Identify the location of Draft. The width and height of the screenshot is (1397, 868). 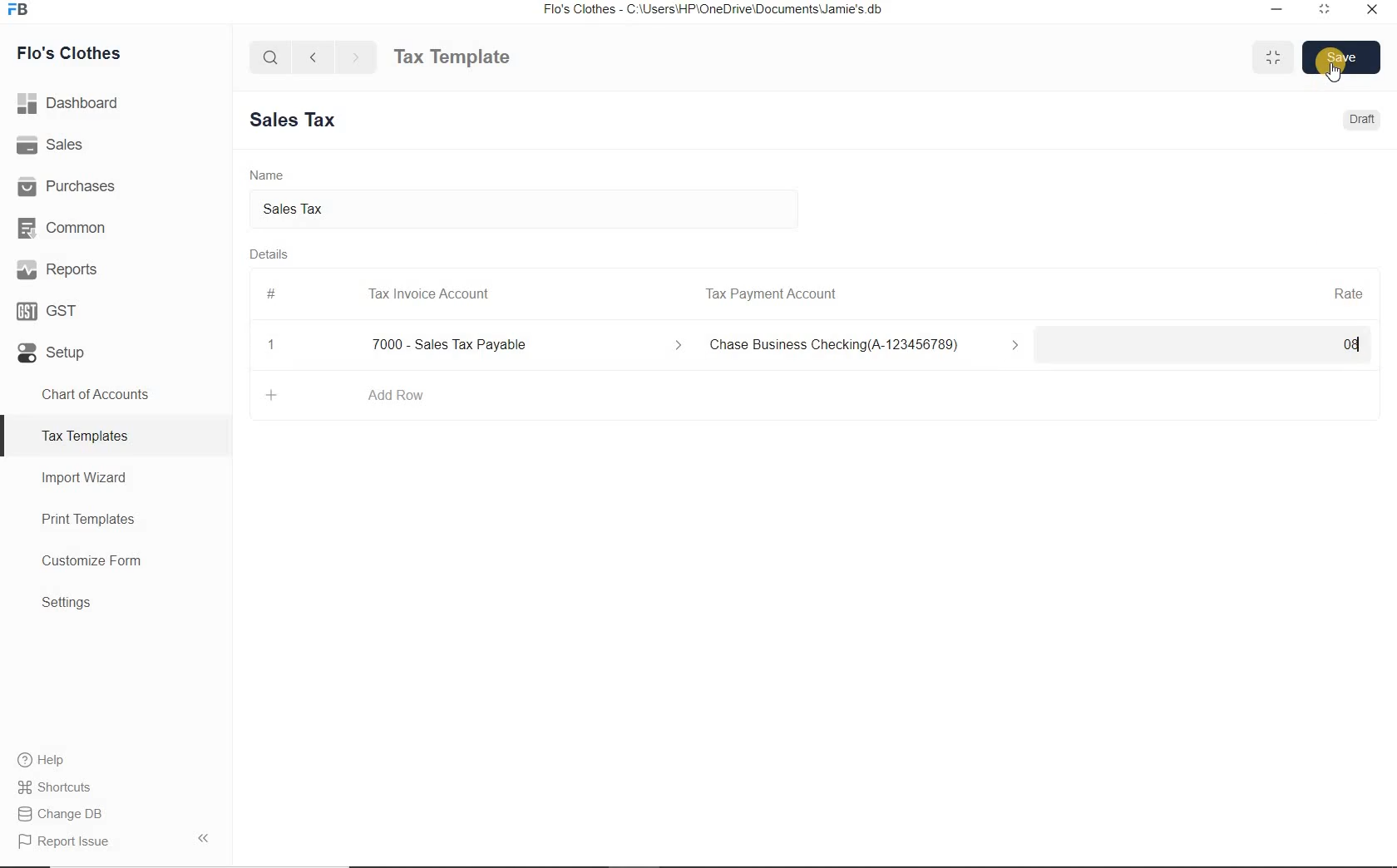
(1364, 119).